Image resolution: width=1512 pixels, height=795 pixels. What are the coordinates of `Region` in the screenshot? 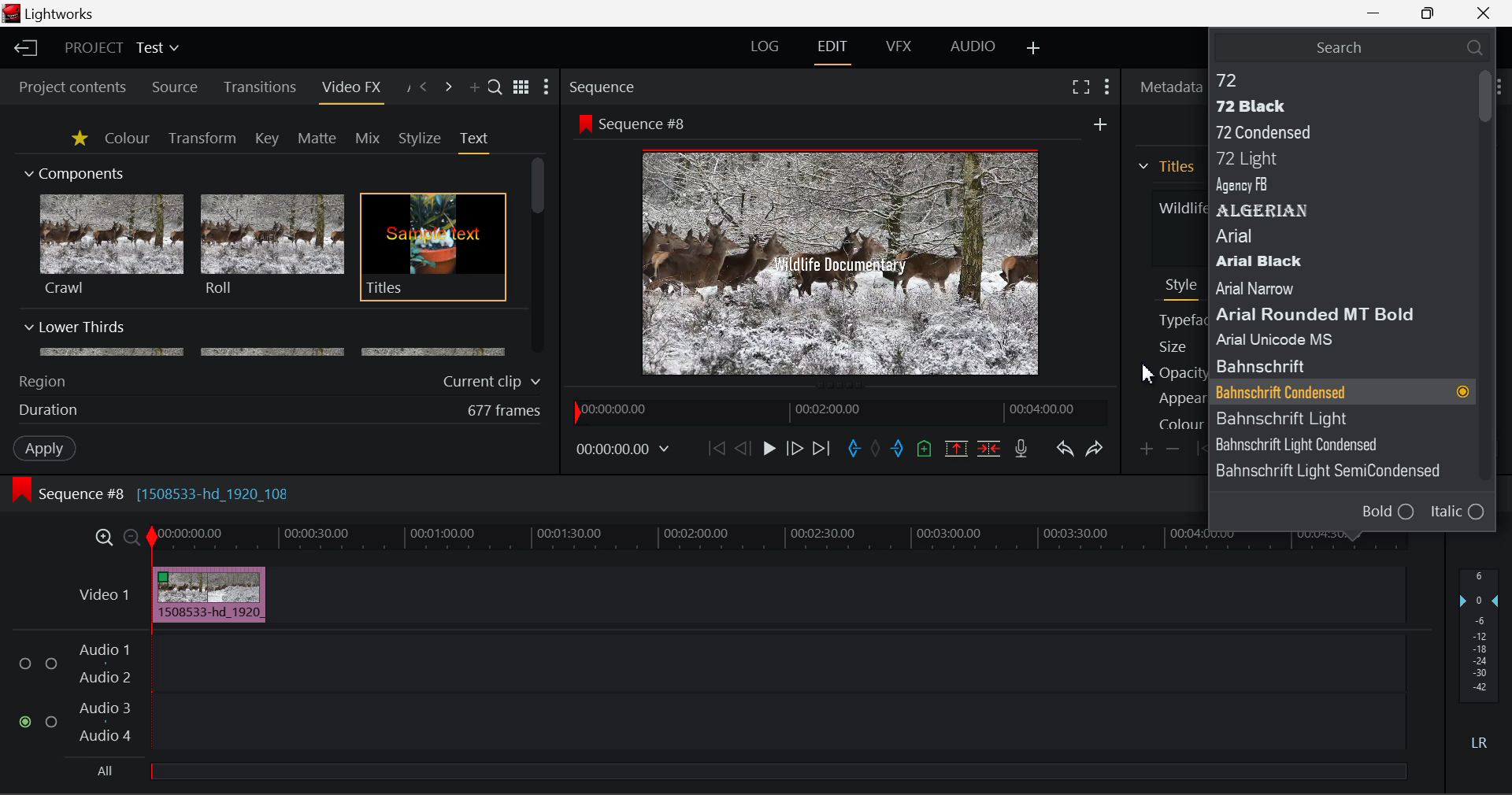 It's located at (42, 382).